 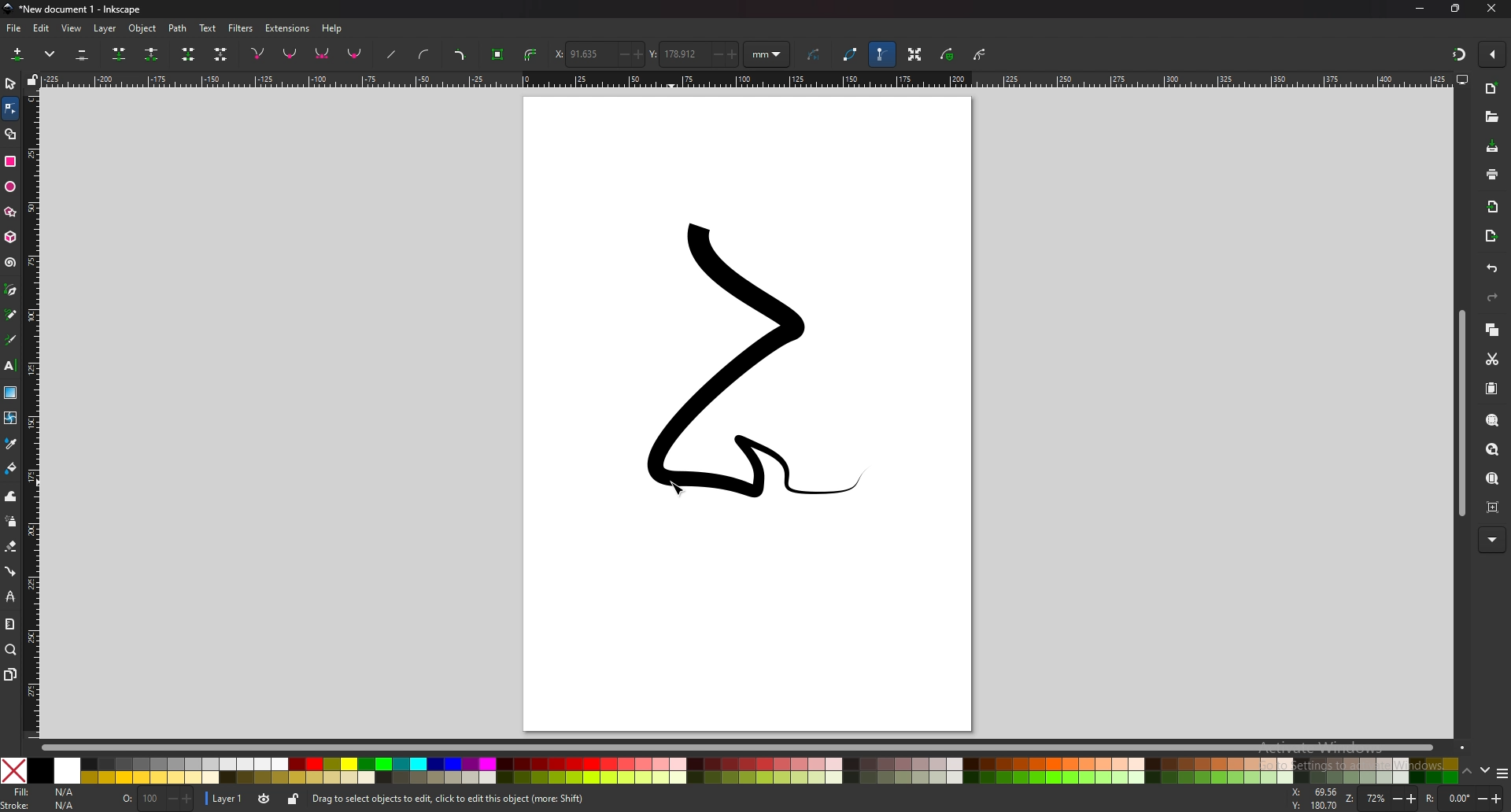 I want to click on delete selected nodes, so click(x=83, y=55).